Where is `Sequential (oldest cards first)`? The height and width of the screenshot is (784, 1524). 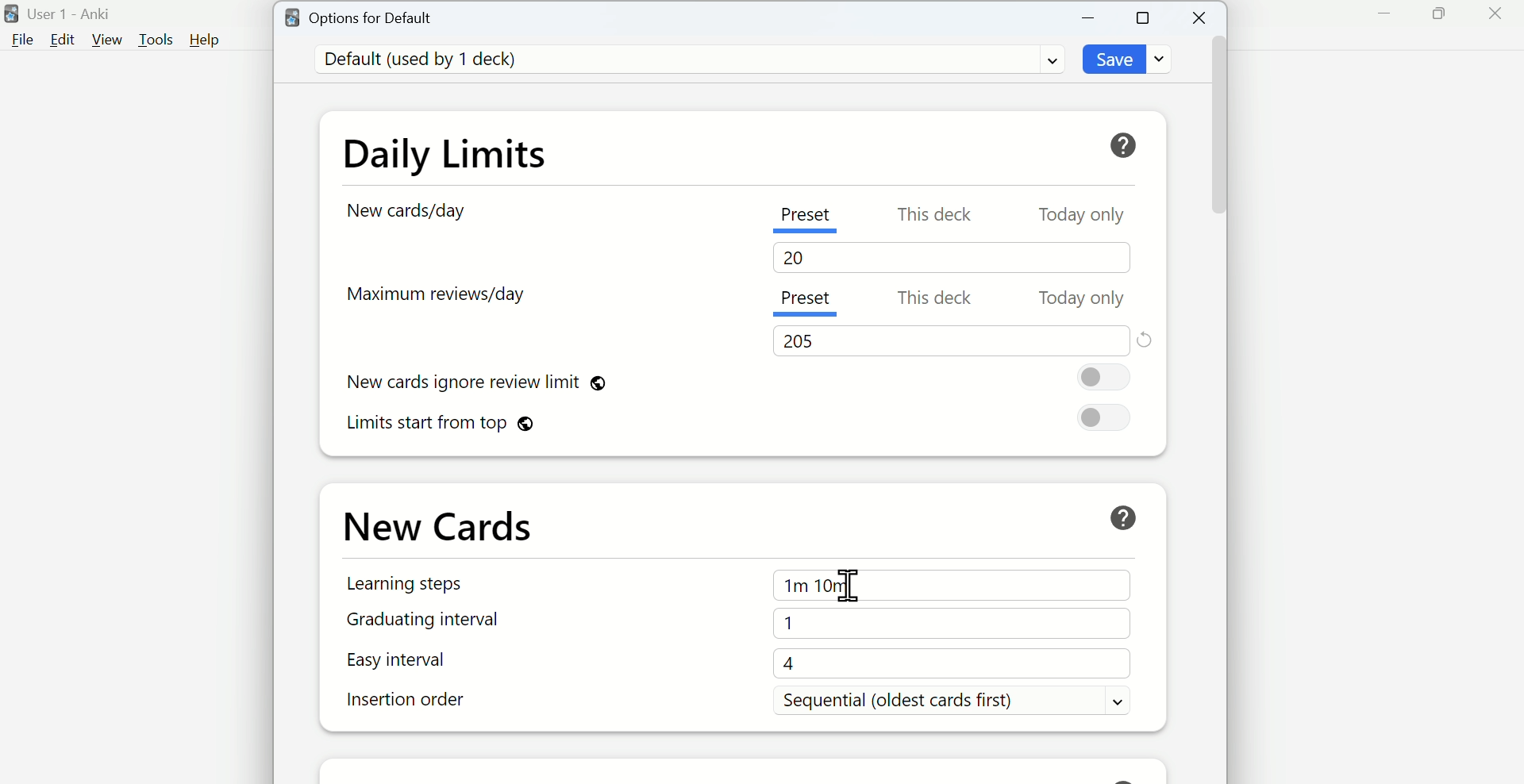
Sequential (oldest cards first) is located at coordinates (960, 701).